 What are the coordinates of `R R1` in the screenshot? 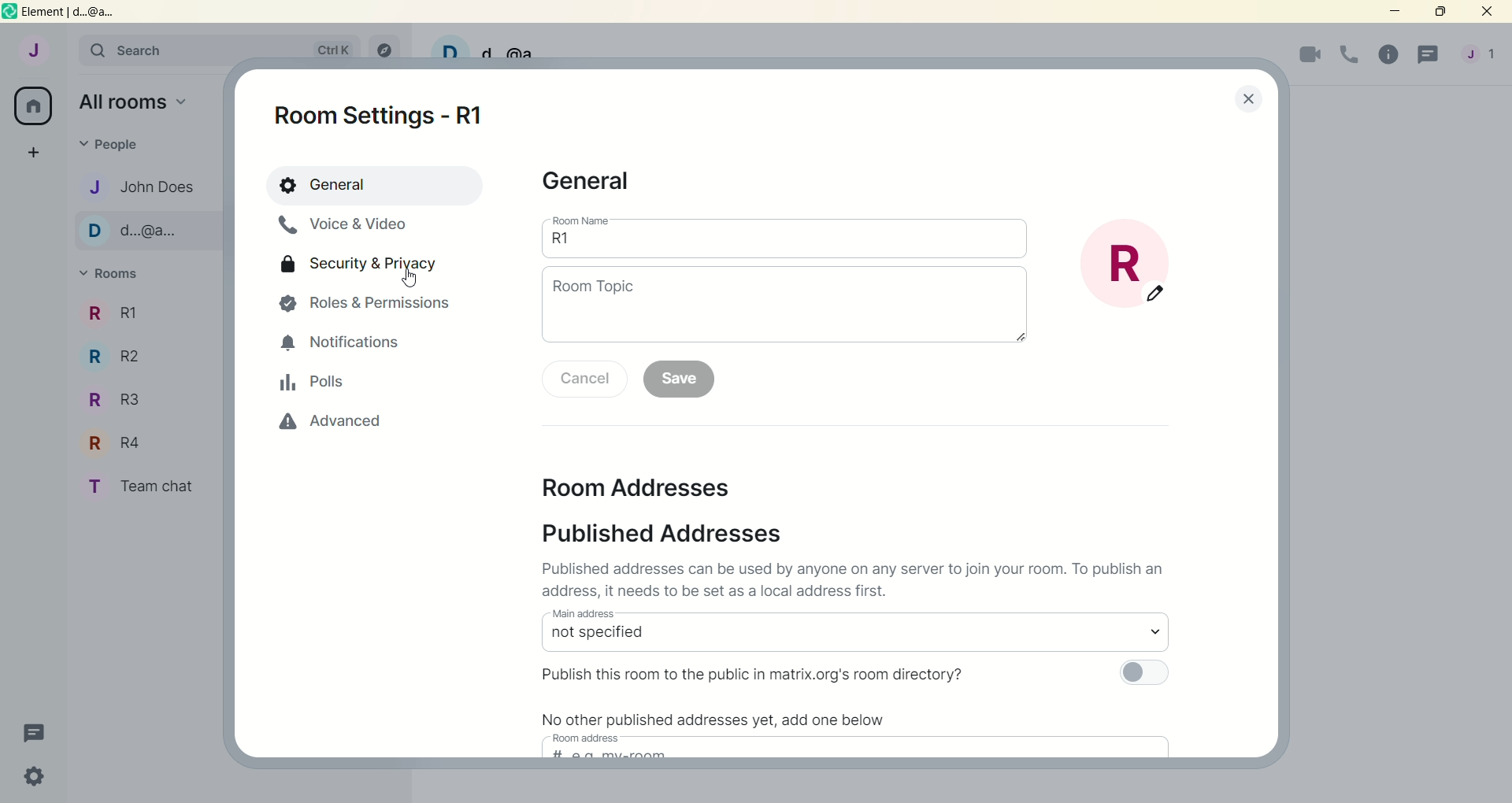 It's located at (145, 316).